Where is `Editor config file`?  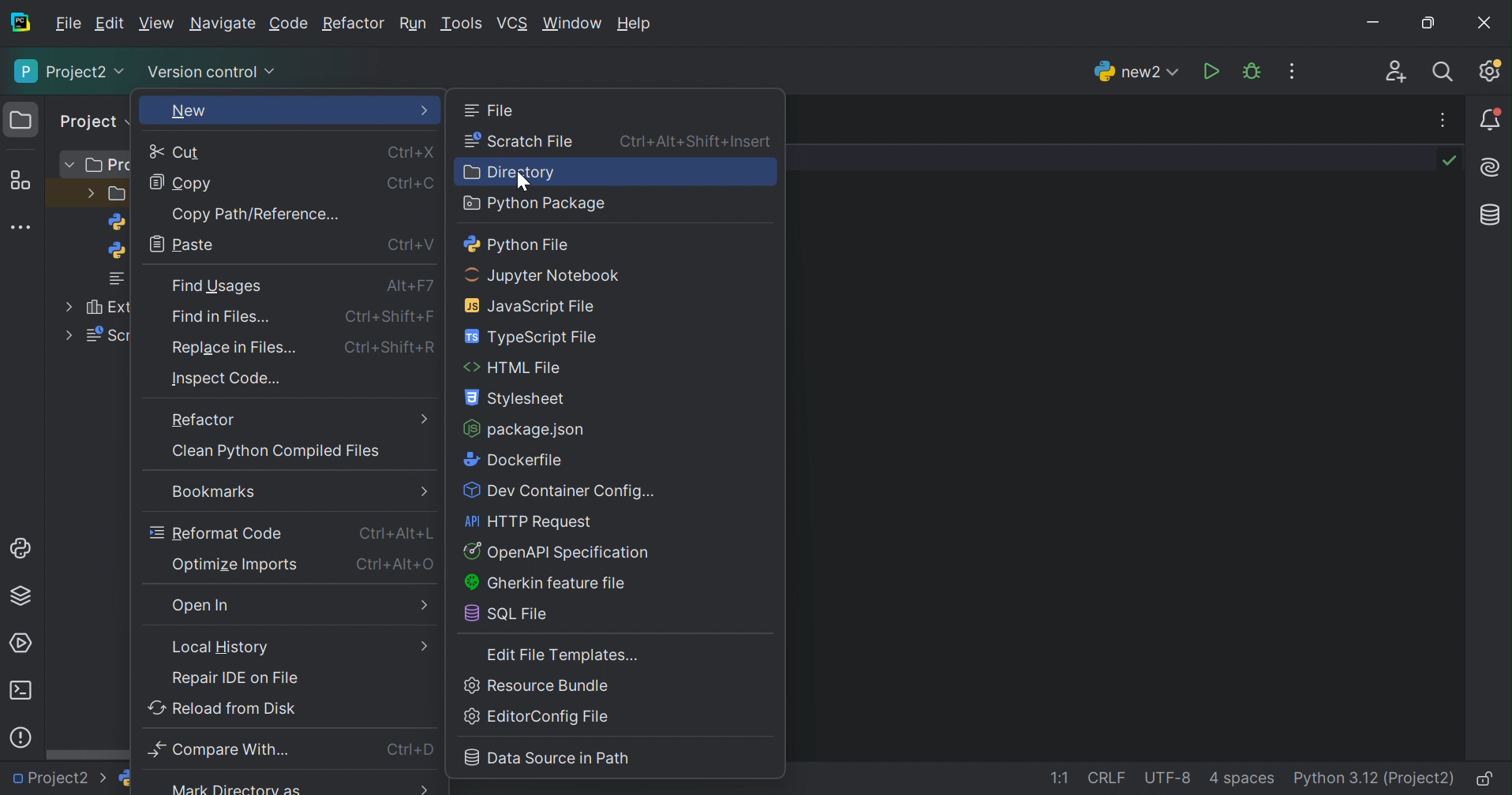
Editor config file is located at coordinates (536, 716).